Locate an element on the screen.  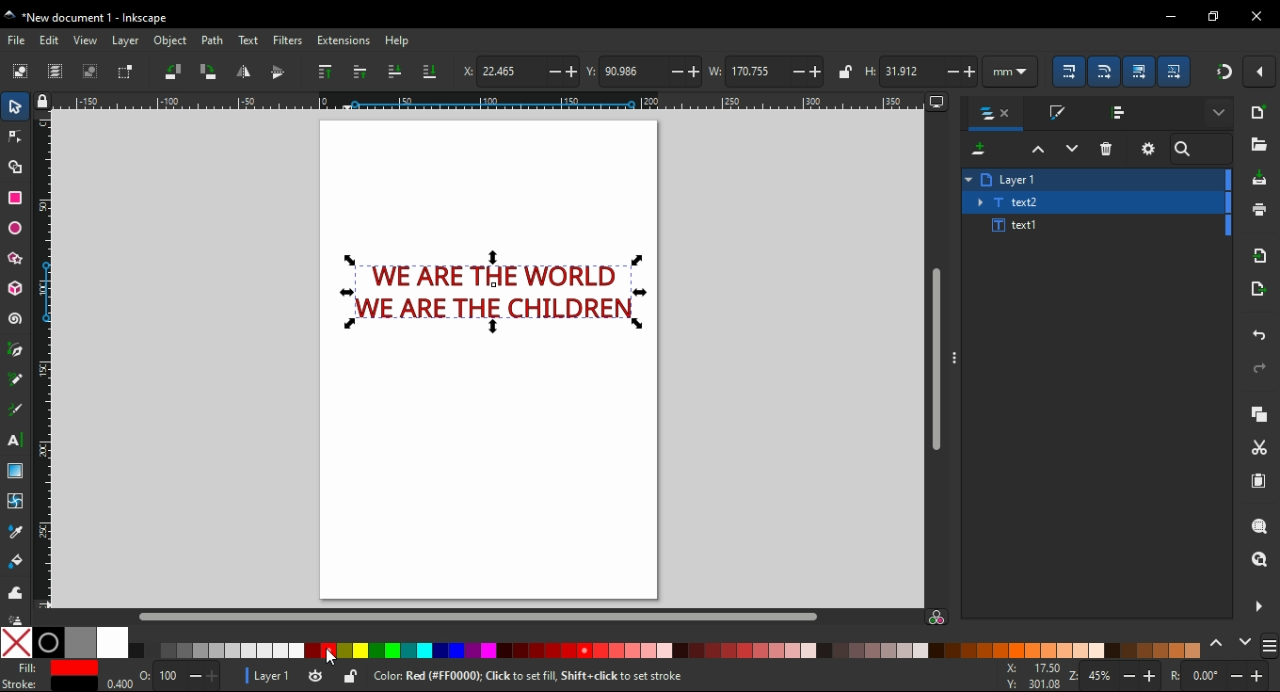
select is located at coordinates (20, 71).